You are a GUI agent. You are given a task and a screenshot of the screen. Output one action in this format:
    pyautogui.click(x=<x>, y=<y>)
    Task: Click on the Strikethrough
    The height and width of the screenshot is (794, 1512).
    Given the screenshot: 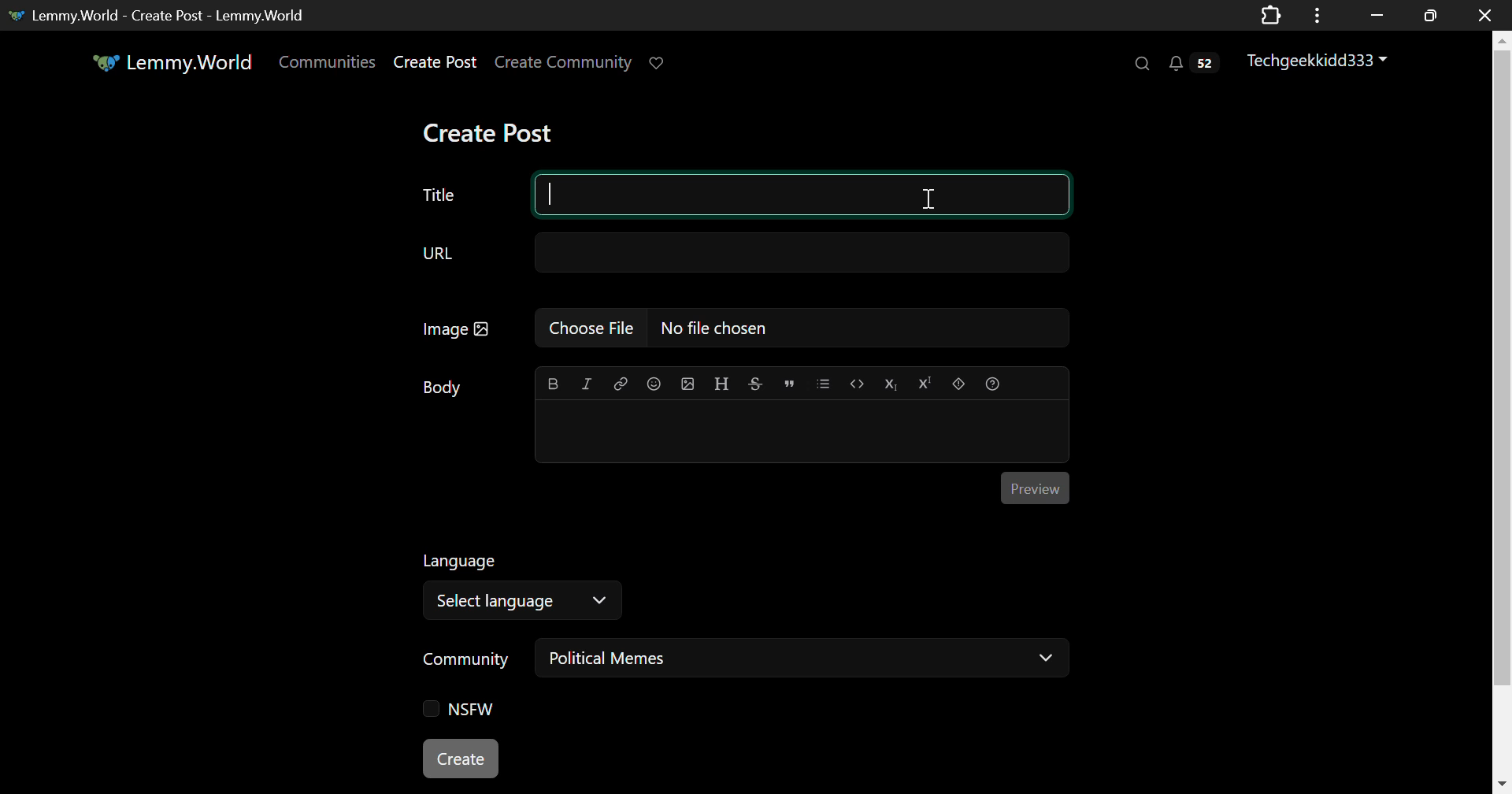 What is the action you would take?
    pyautogui.click(x=756, y=384)
    